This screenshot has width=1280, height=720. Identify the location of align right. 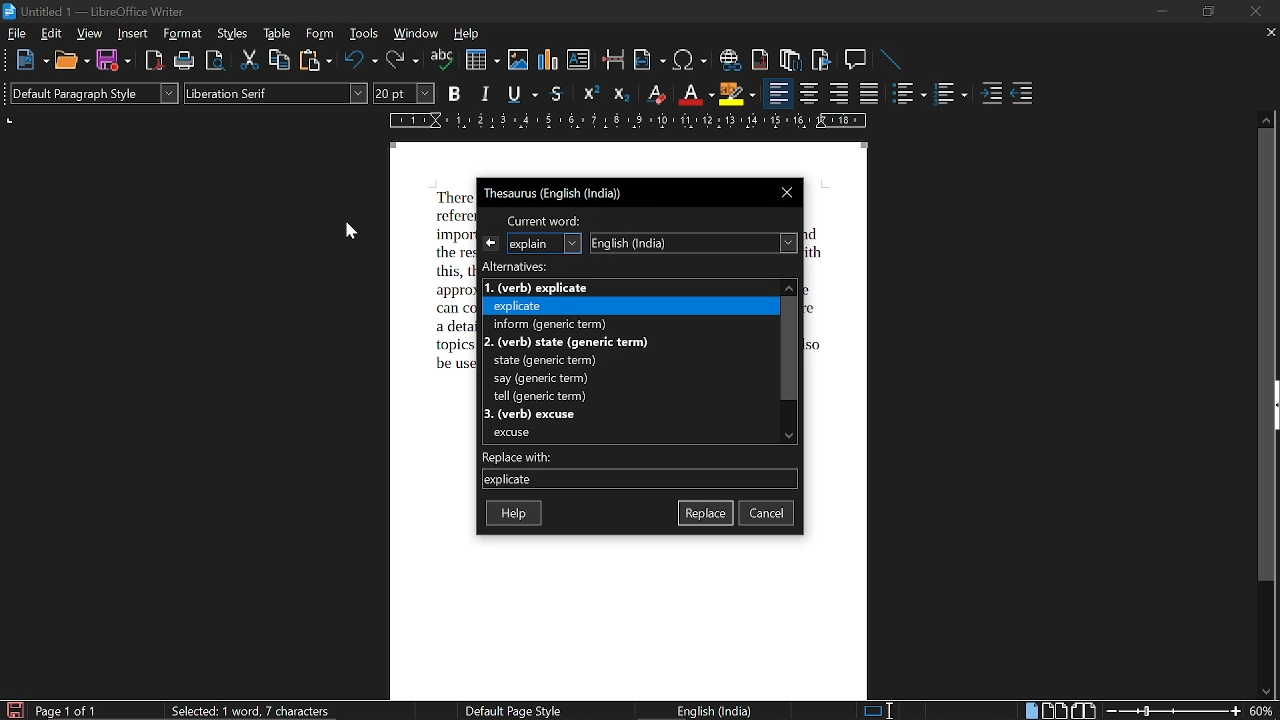
(841, 94).